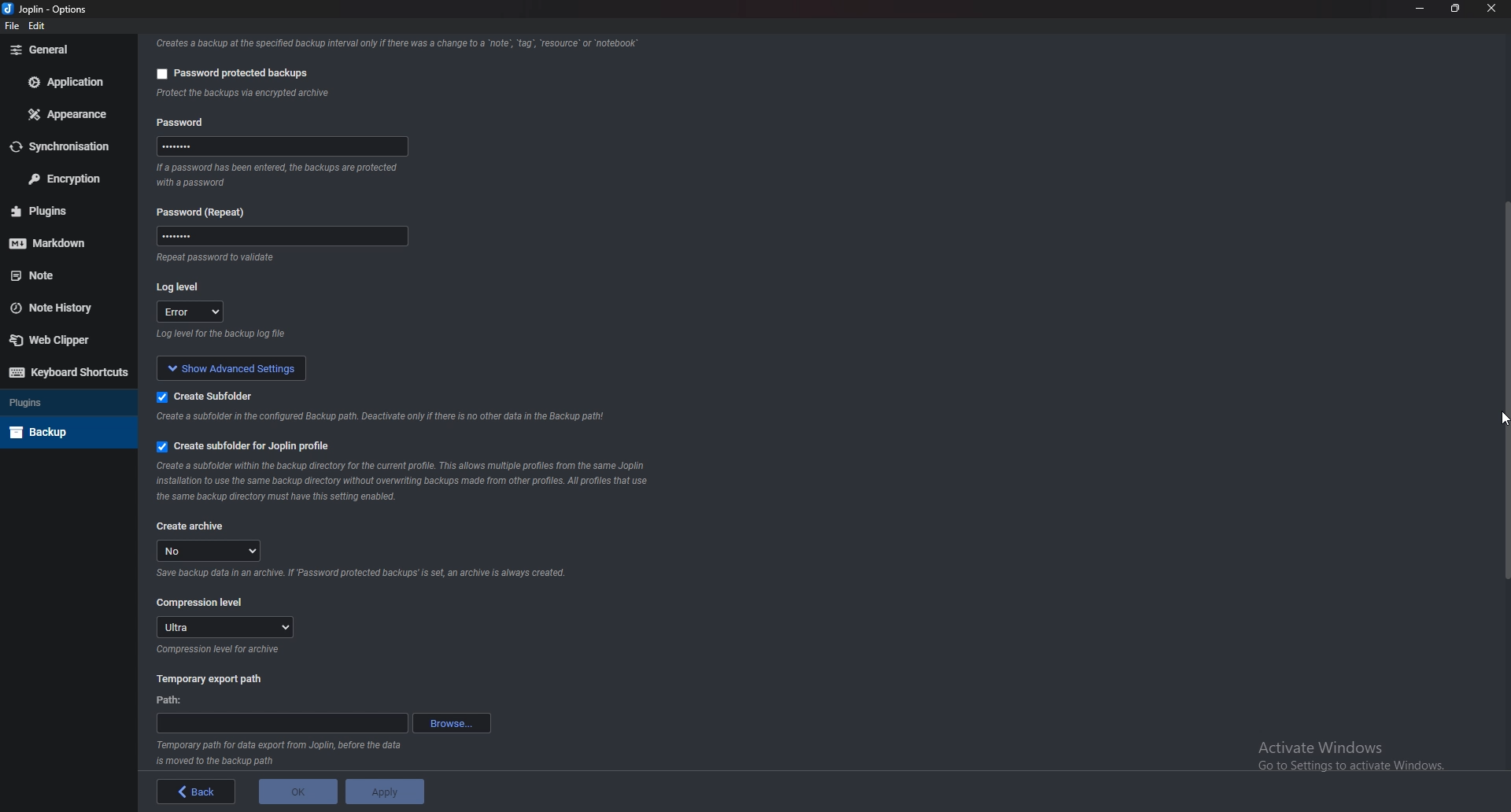 This screenshot has height=812, width=1511. I want to click on path, so click(281, 724).